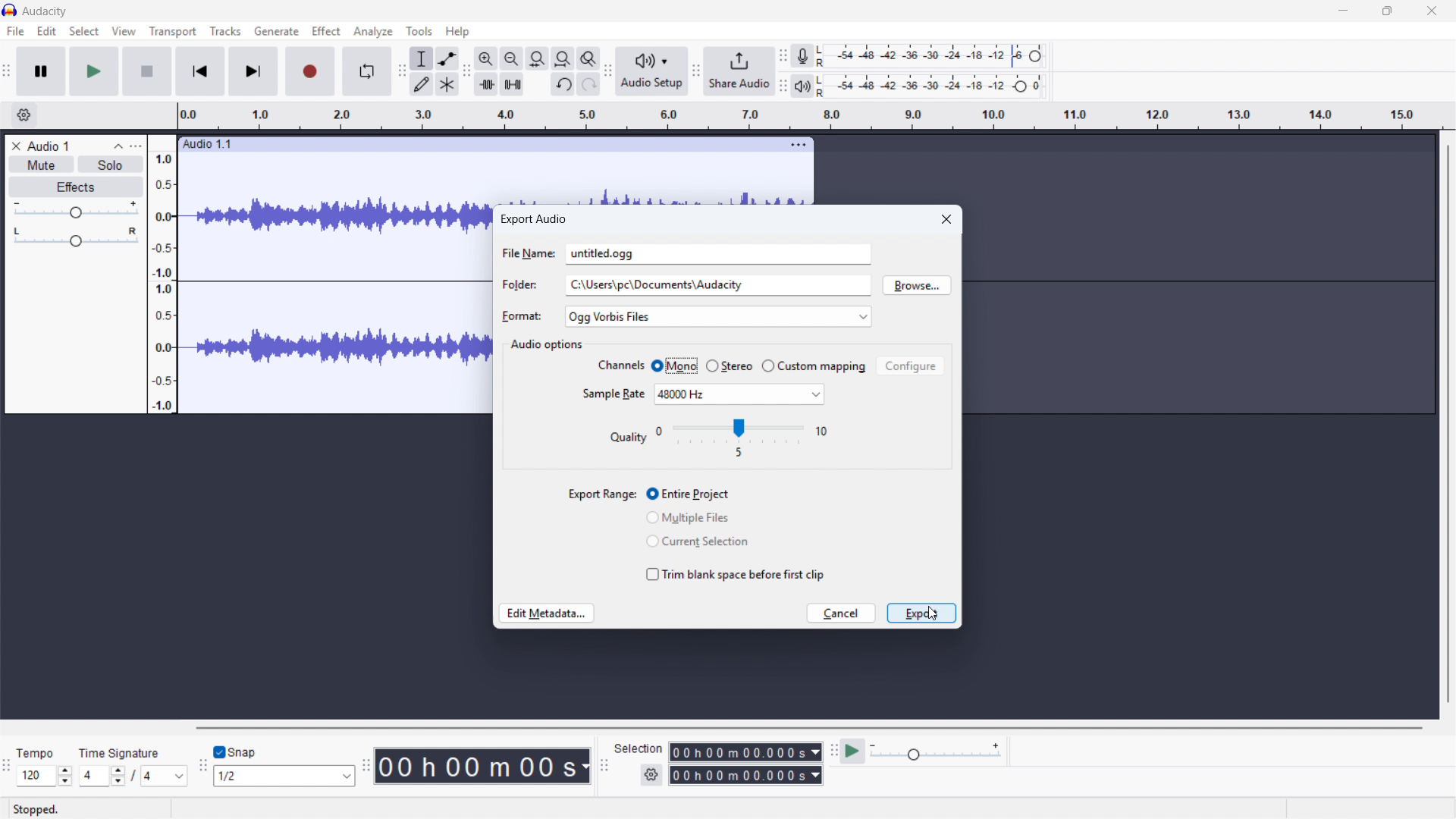 The image size is (1456, 819). What do you see at coordinates (807, 728) in the screenshot?
I see `Horizontal scroll bar ` at bounding box center [807, 728].